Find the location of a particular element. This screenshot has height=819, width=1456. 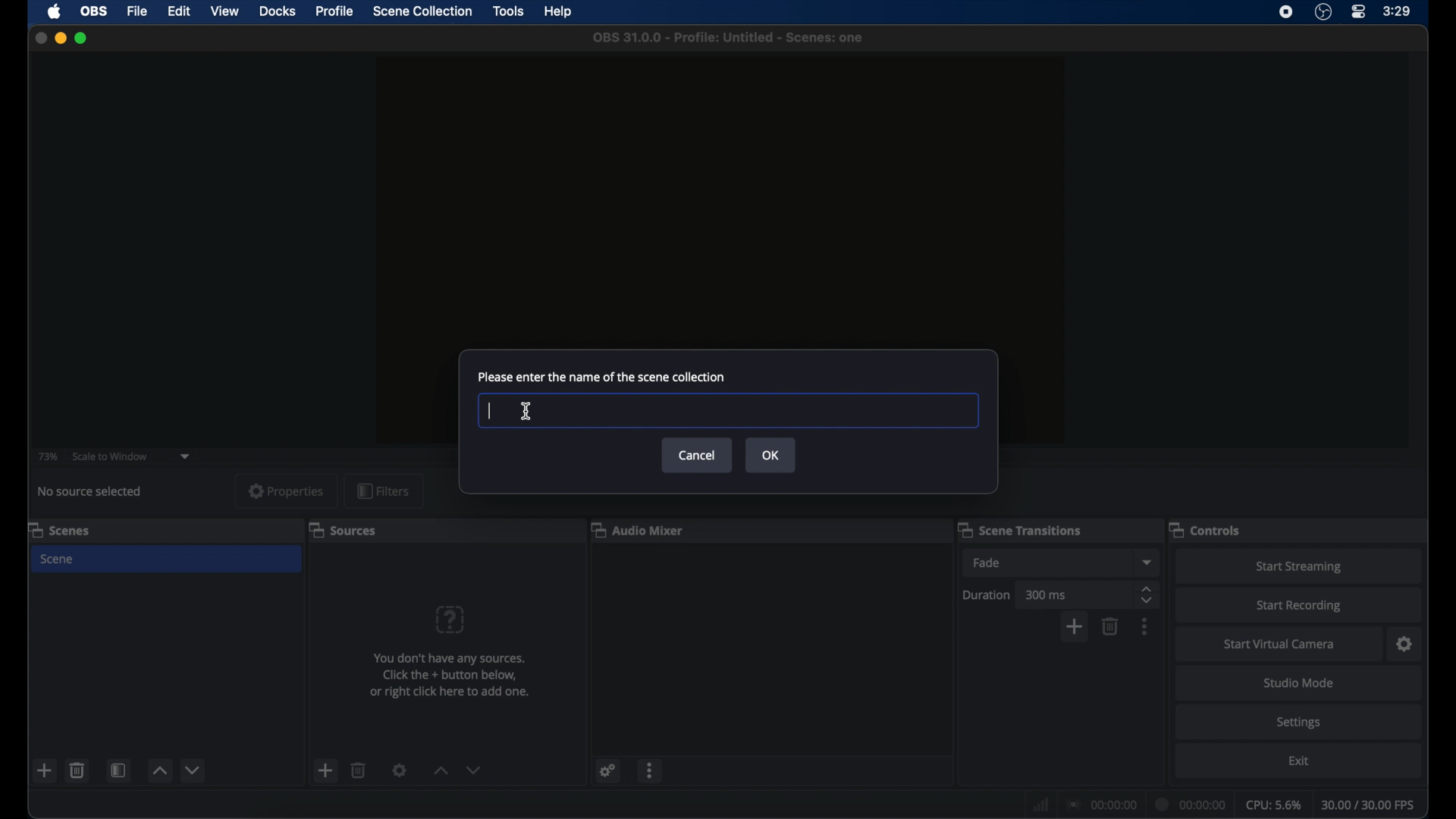

apple icon is located at coordinates (55, 12).